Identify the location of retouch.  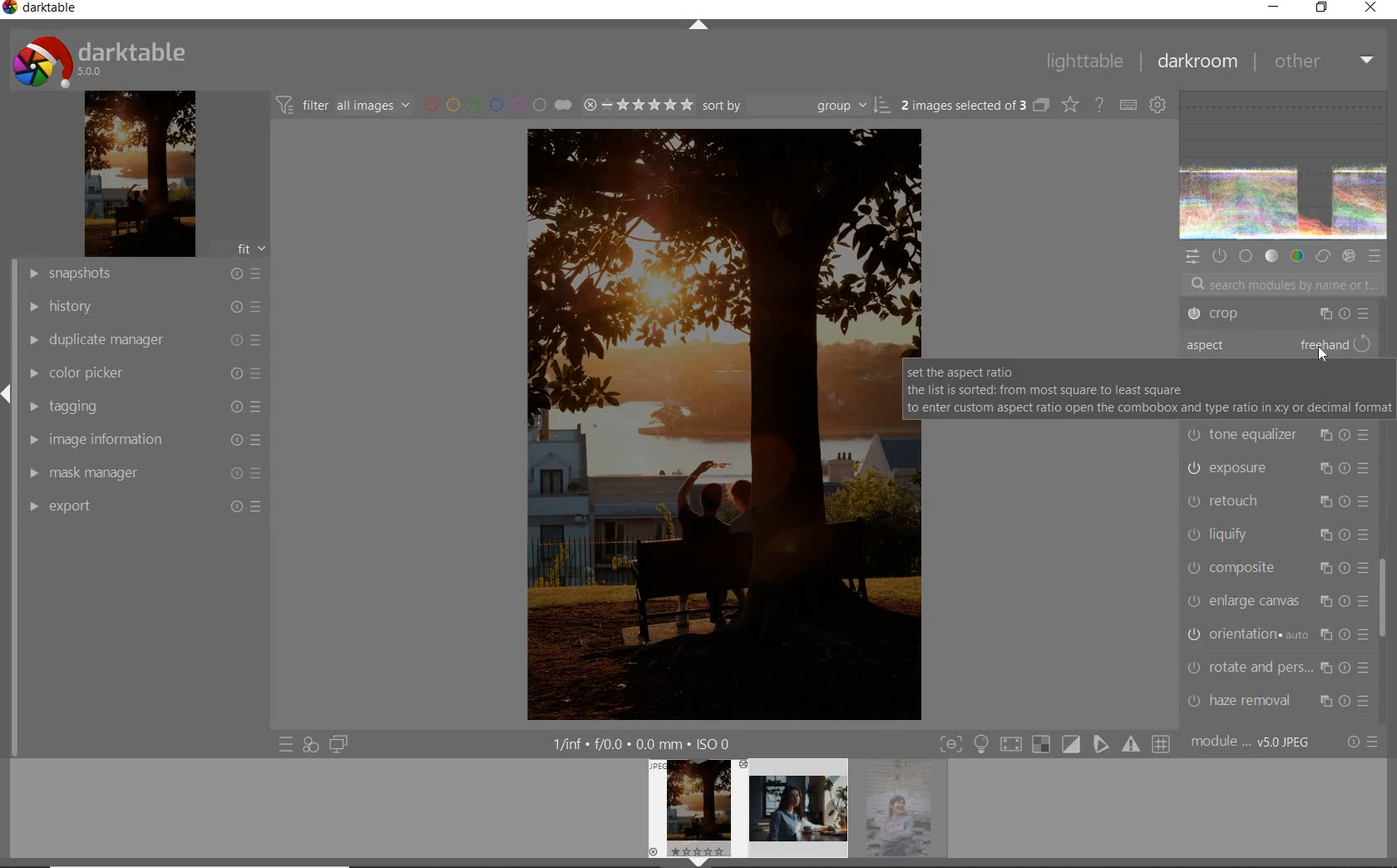
(1274, 499).